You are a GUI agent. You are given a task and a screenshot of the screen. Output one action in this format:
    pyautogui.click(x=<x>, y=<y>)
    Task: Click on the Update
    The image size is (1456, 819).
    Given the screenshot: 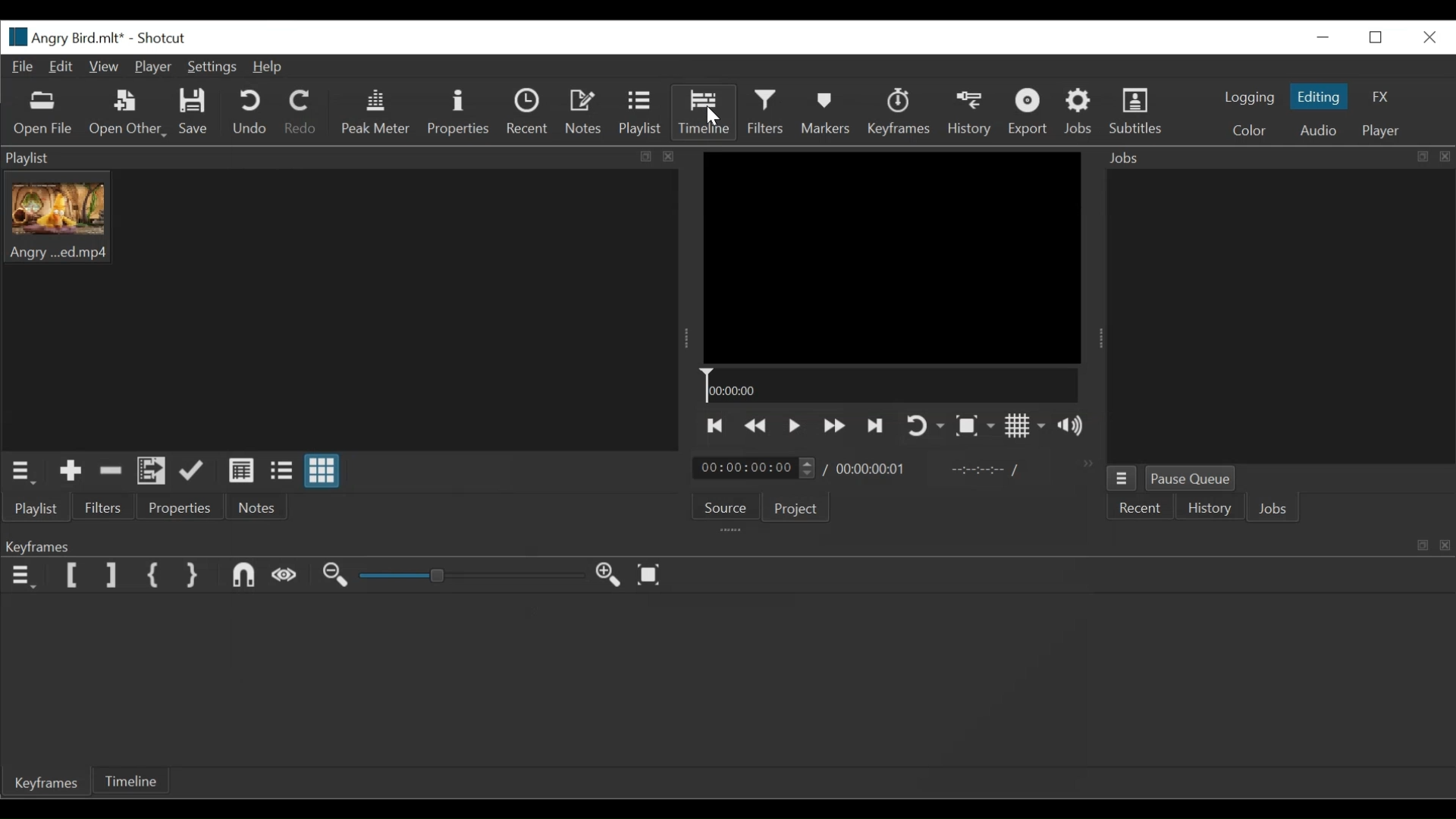 What is the action you would take?
    pyautogui.click(x=193, y=471)
    